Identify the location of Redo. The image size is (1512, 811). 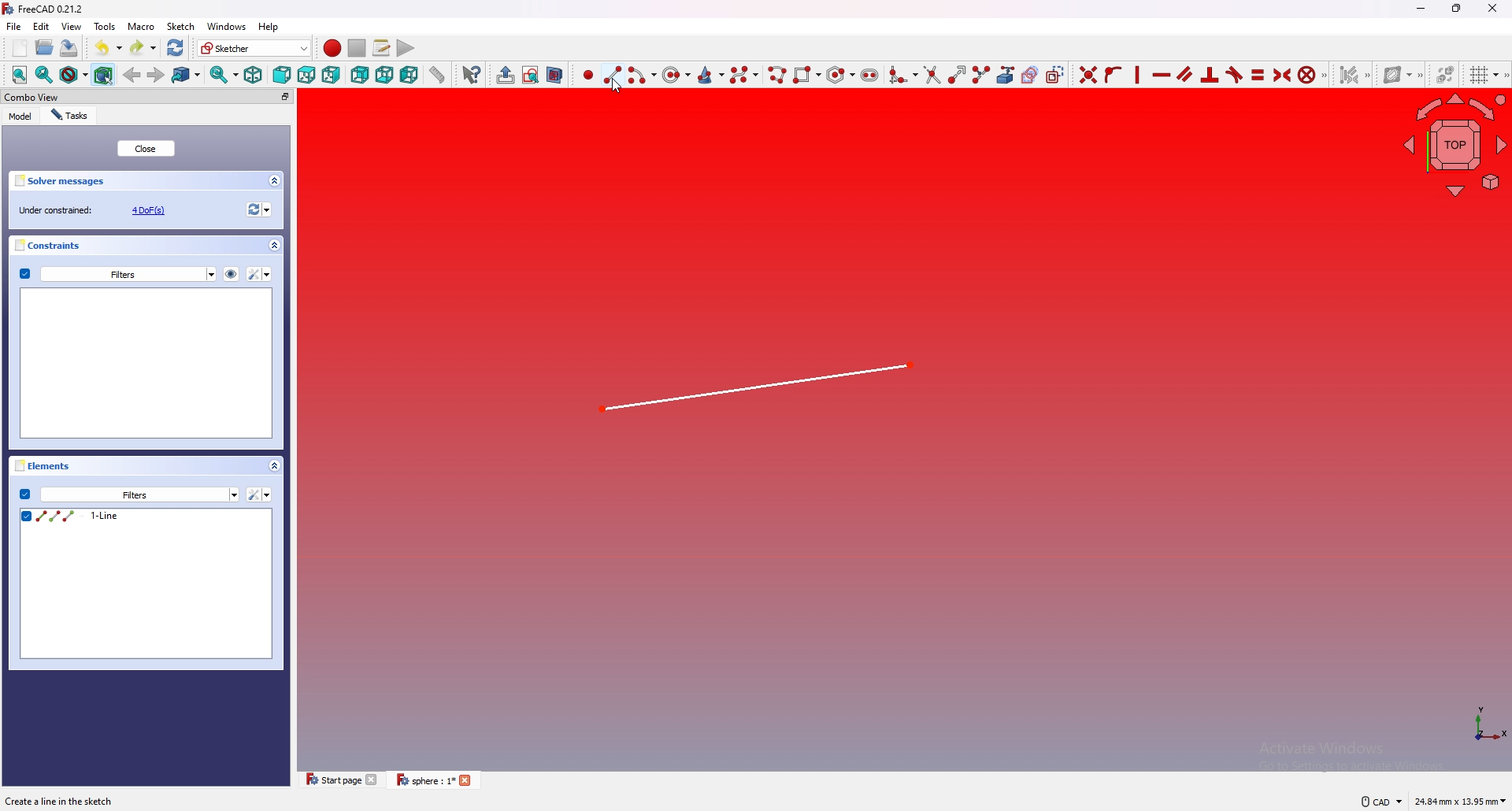
(142, 46).